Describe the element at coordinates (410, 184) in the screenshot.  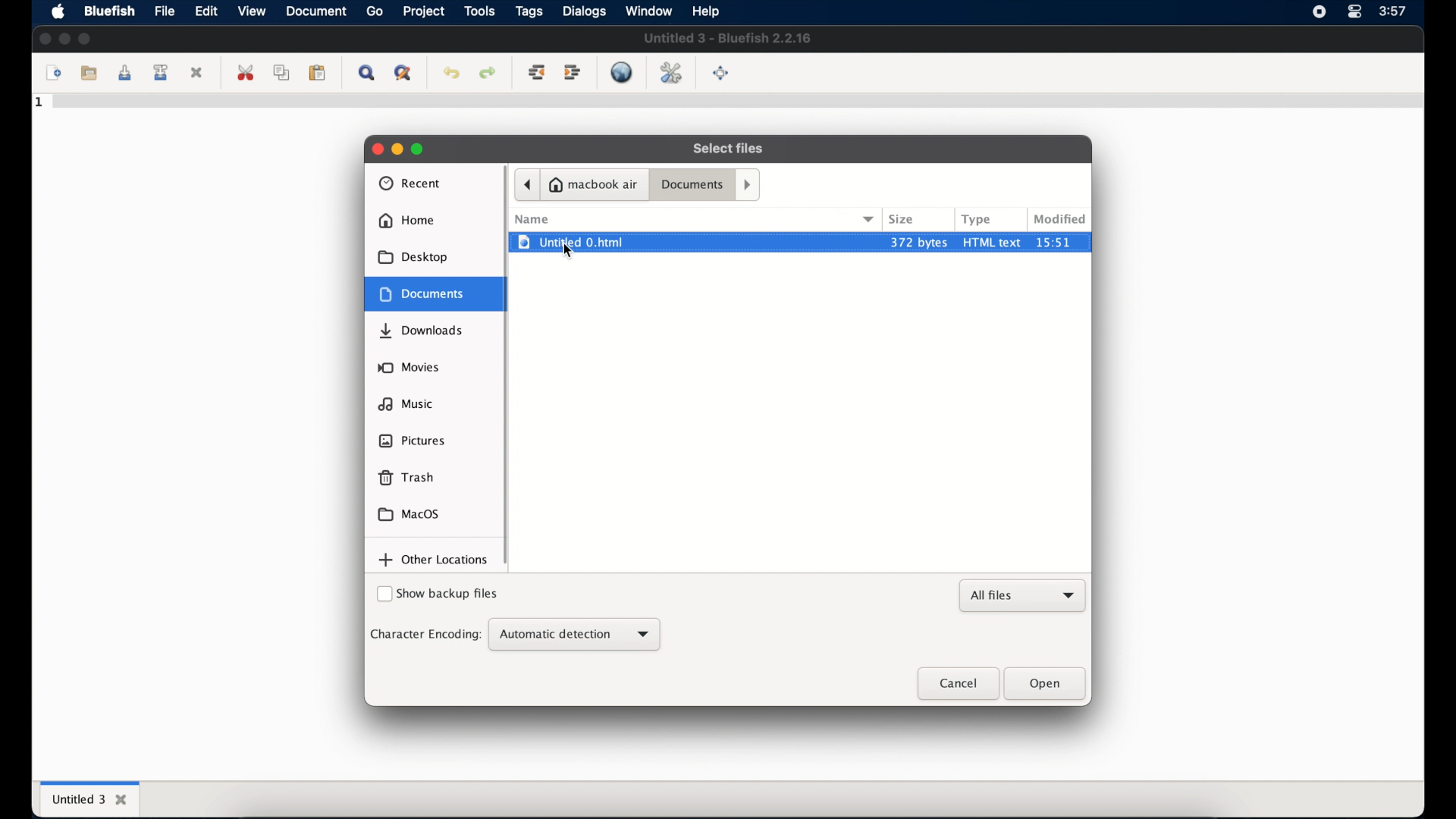
I see `recent` at that location.